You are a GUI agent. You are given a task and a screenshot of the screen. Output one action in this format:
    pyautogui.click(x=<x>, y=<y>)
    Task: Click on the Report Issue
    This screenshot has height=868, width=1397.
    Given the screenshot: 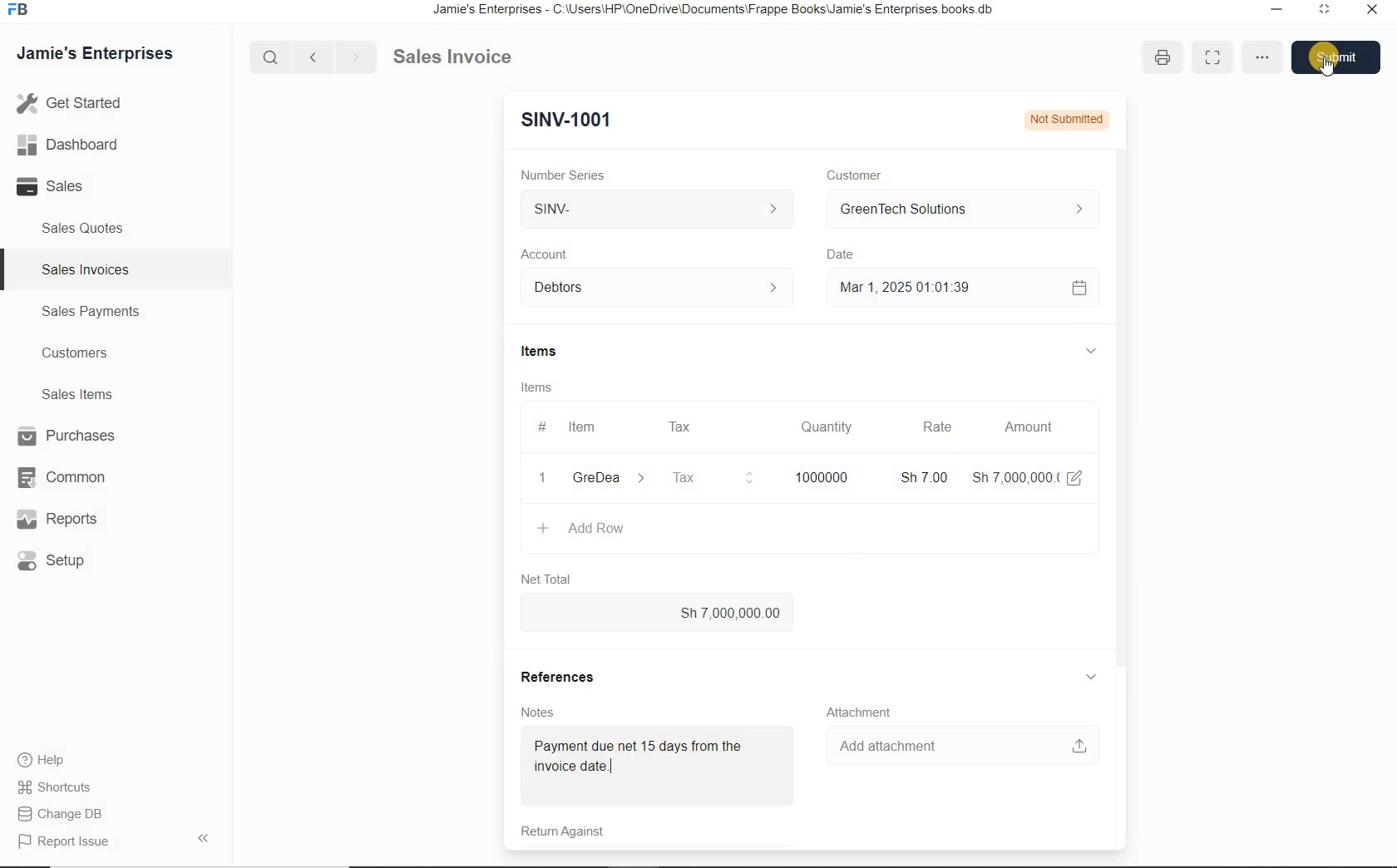 What is the action you would take?
    pyautogui.click(x=62, y=842)
    